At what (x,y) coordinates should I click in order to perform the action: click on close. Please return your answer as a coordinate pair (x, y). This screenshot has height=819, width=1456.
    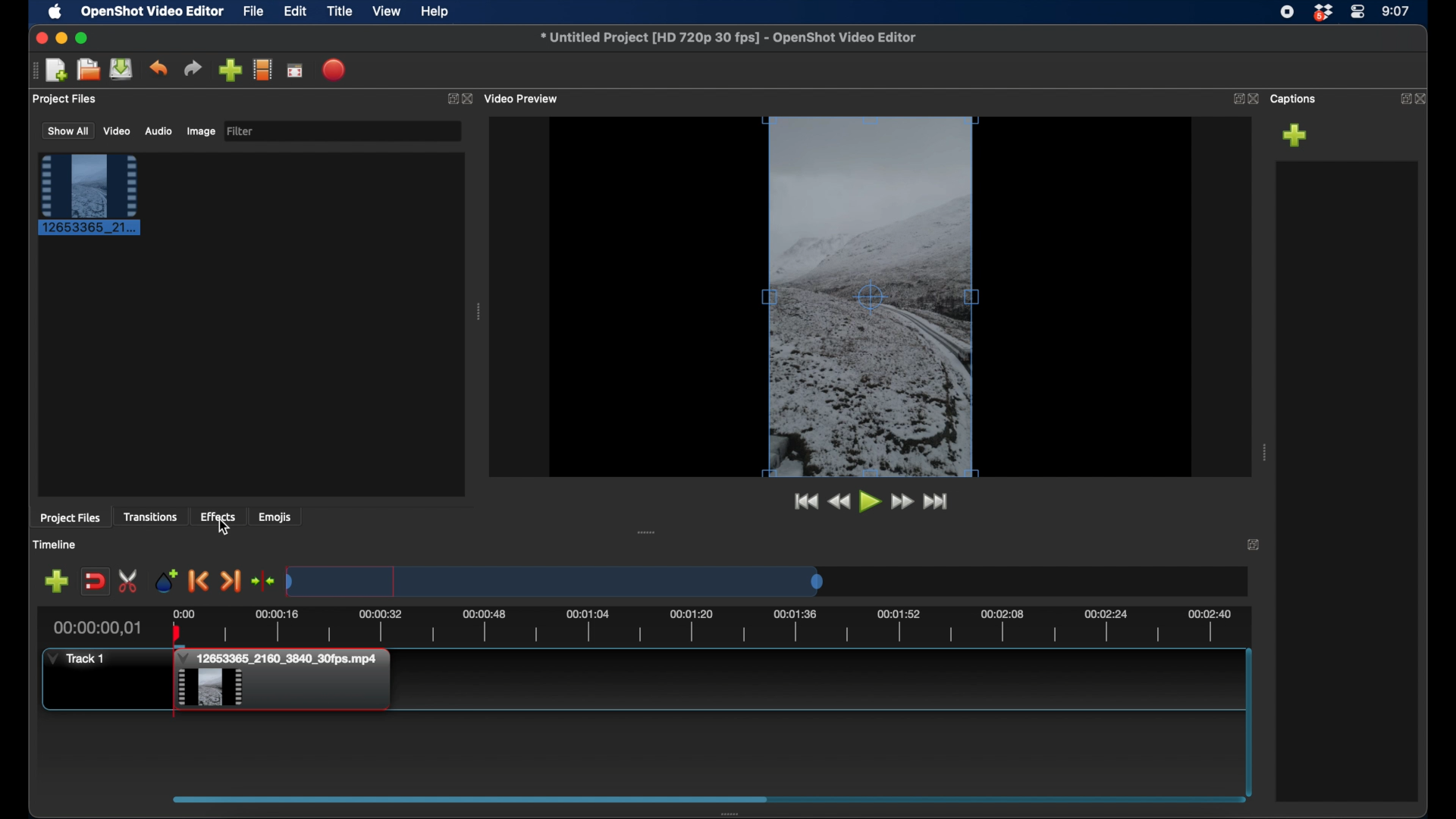
    Looking at the image, I should click on (471, 98).